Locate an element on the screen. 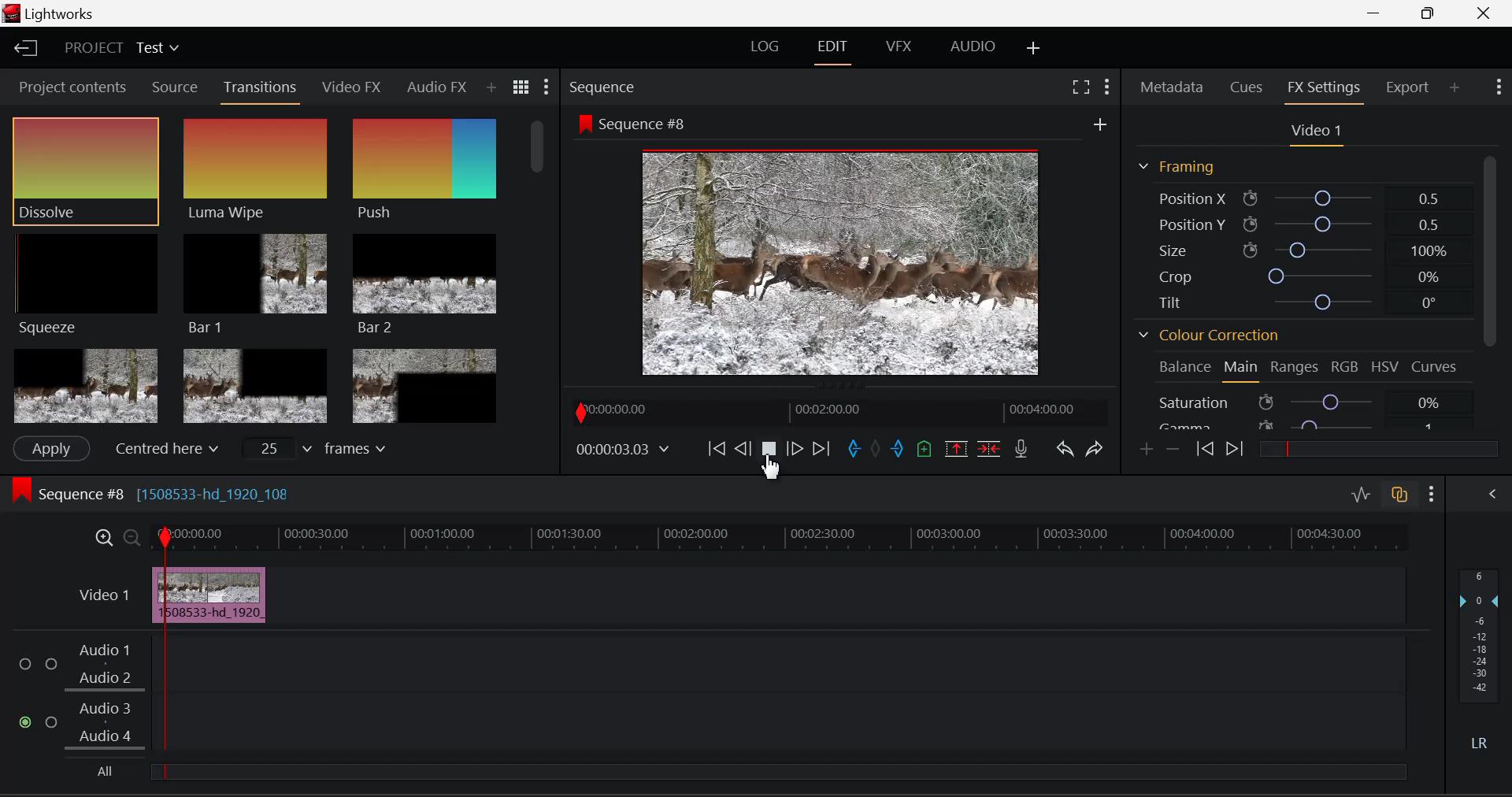 The height and width of the screenshot is (797, 1512). Show Settings is located at coordinates (1499, 87).